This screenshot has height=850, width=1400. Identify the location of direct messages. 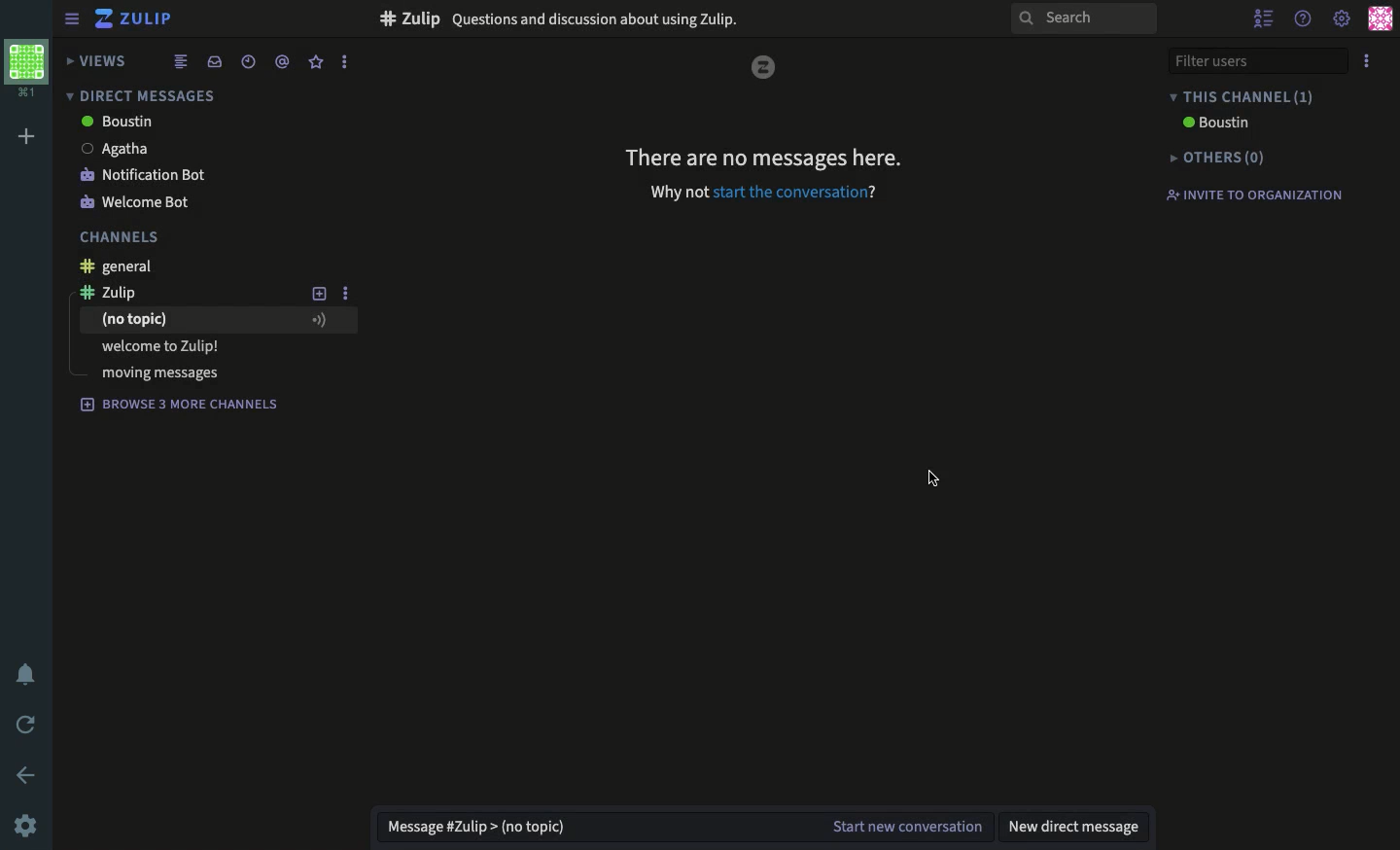
(139, 95).